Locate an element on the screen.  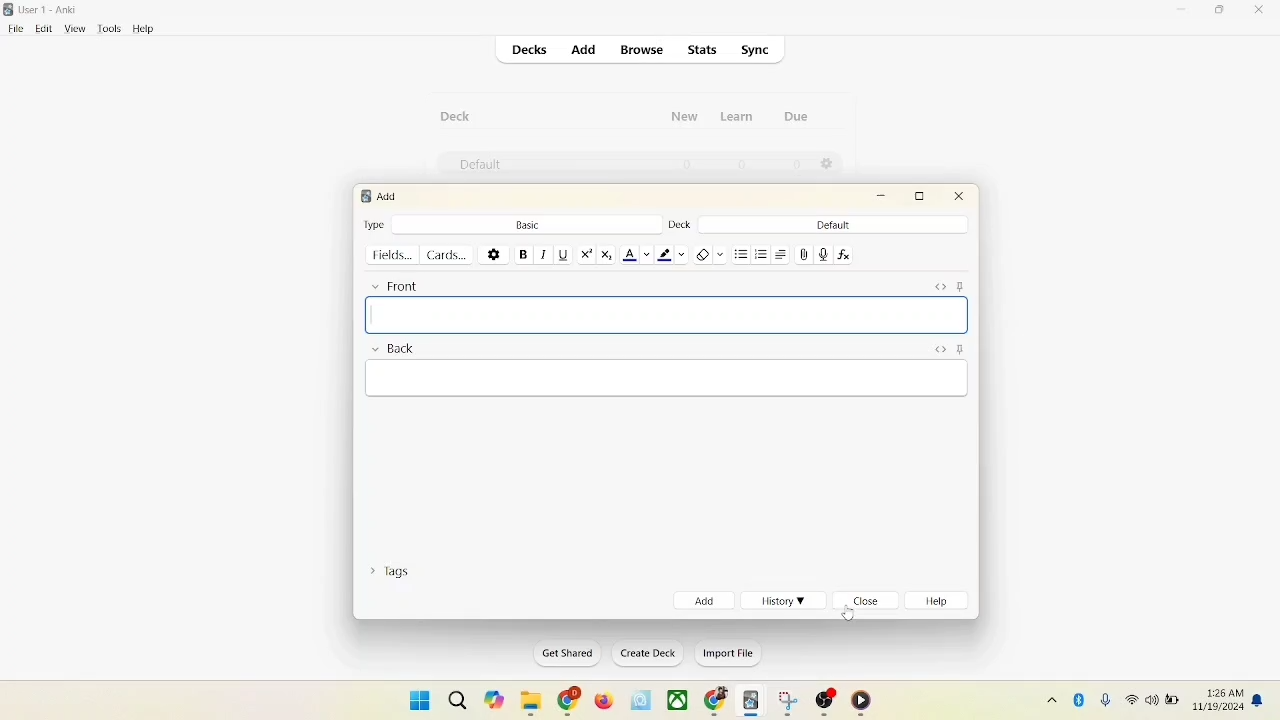
text highlight color is located at coordinates (670, 254).